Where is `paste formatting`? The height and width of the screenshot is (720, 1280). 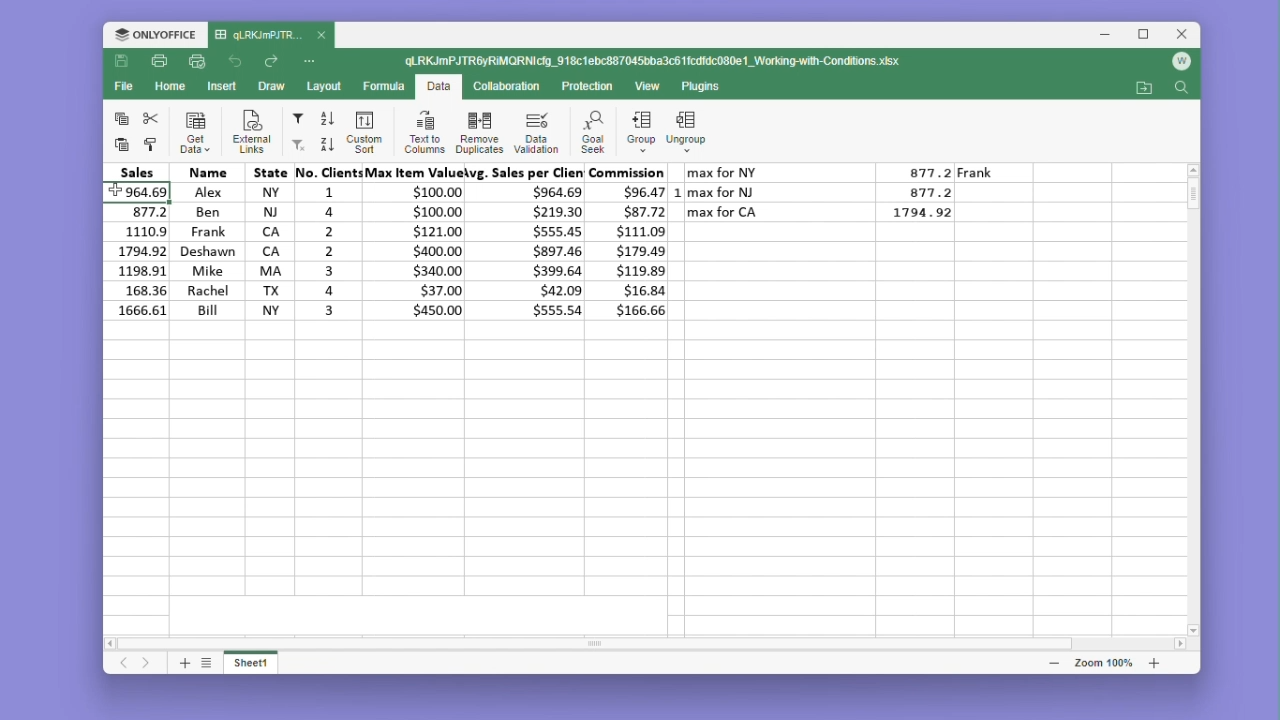 paste formatting is located at coordinates (151, 145).